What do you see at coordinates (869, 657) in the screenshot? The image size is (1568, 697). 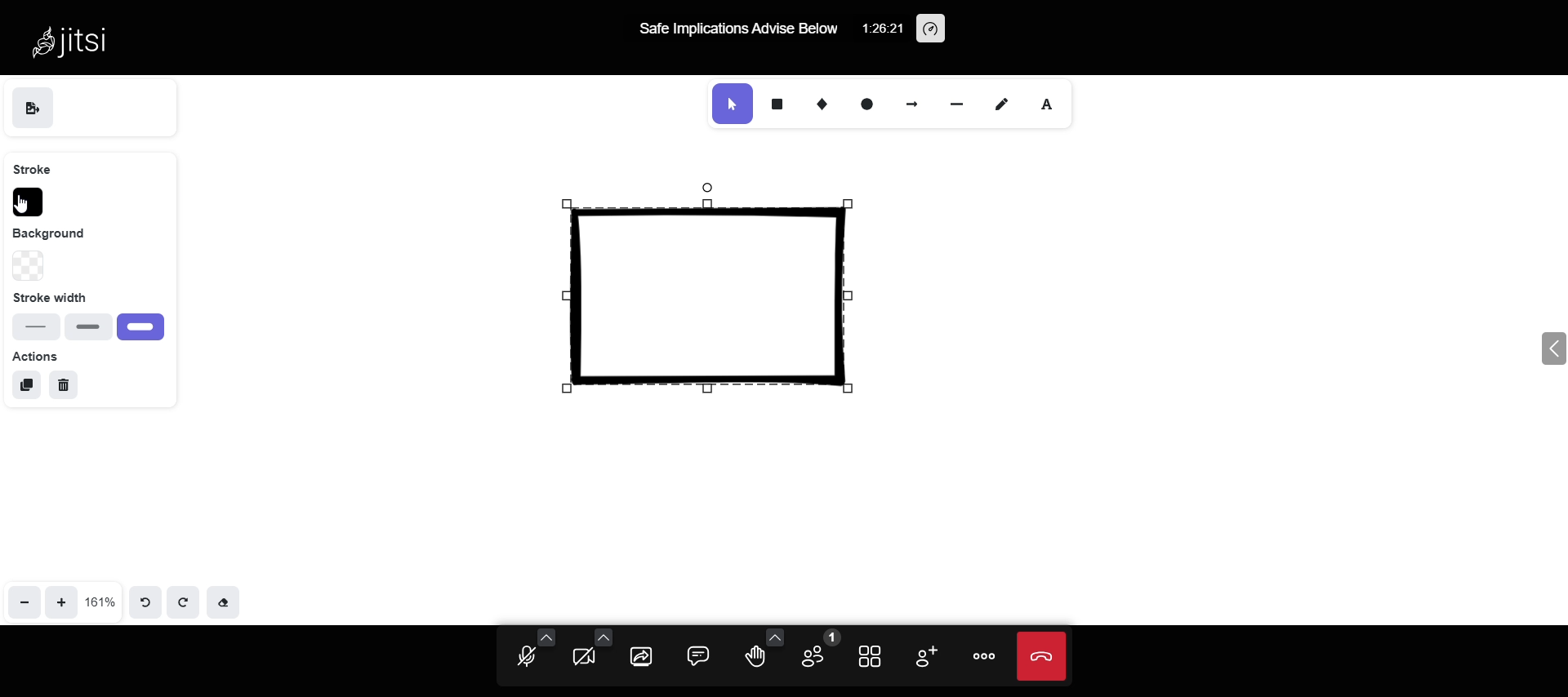 I see `tile view` at bounding box center [869, 657].